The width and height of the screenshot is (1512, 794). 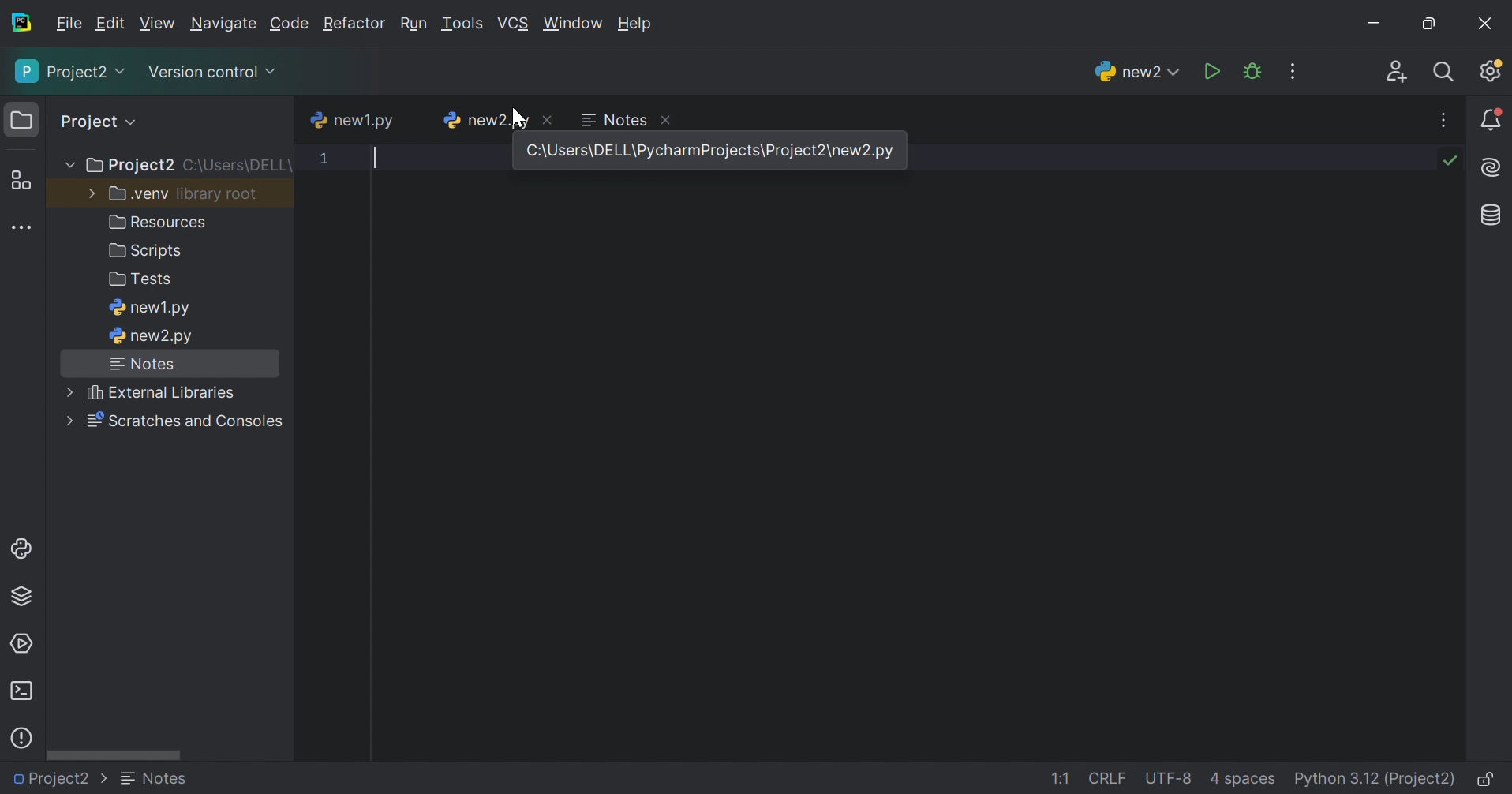 What do you see at coordinates (161, 222) in the screenshot?
I see `Resources` at bounding box center [161, 222].